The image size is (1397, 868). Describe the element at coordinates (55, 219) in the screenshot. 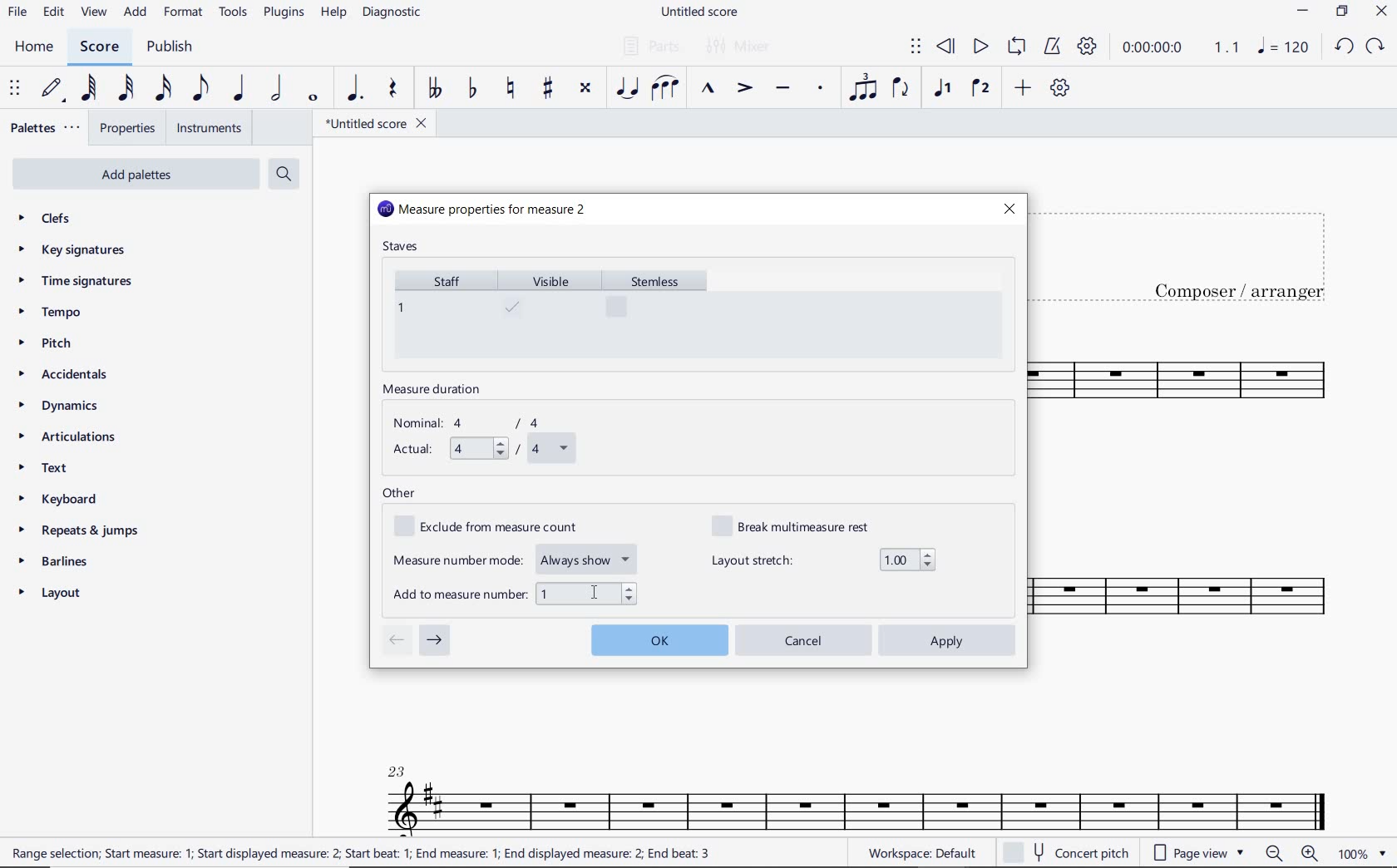

I see `CLEFS` at that location.